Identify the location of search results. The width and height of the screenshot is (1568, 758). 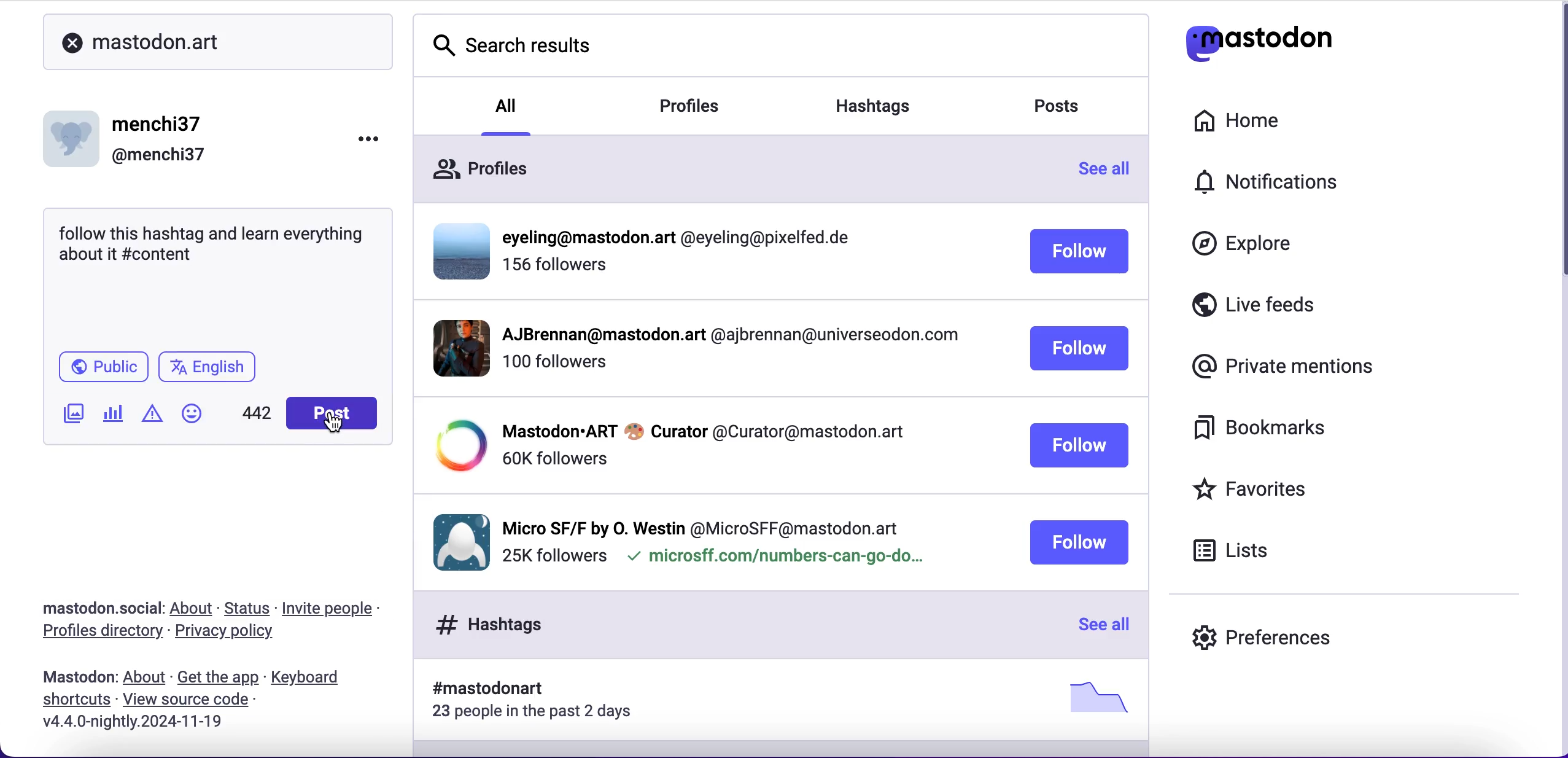
(521, 51).